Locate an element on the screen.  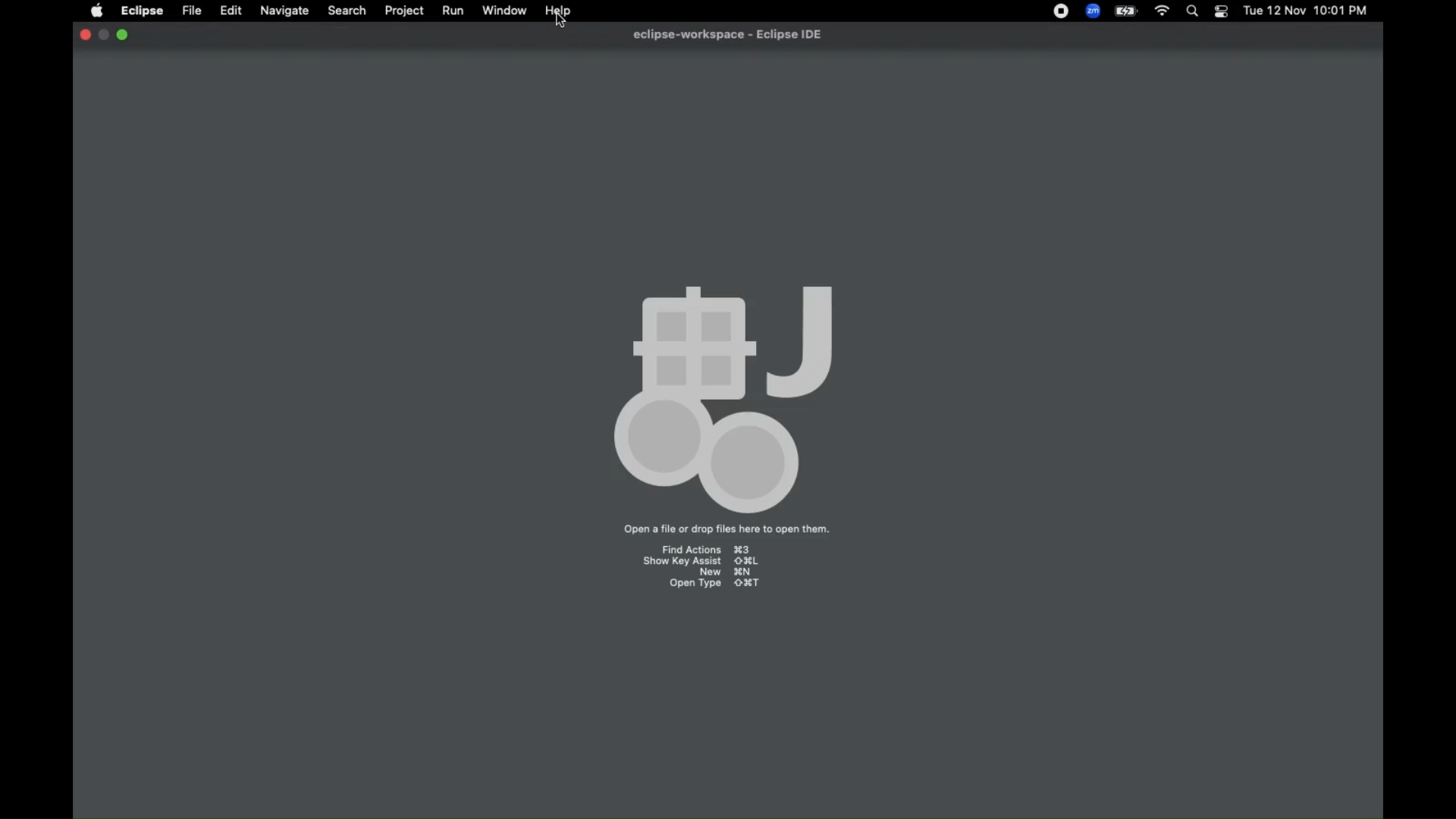
Project is located at coordinates (403, 12).